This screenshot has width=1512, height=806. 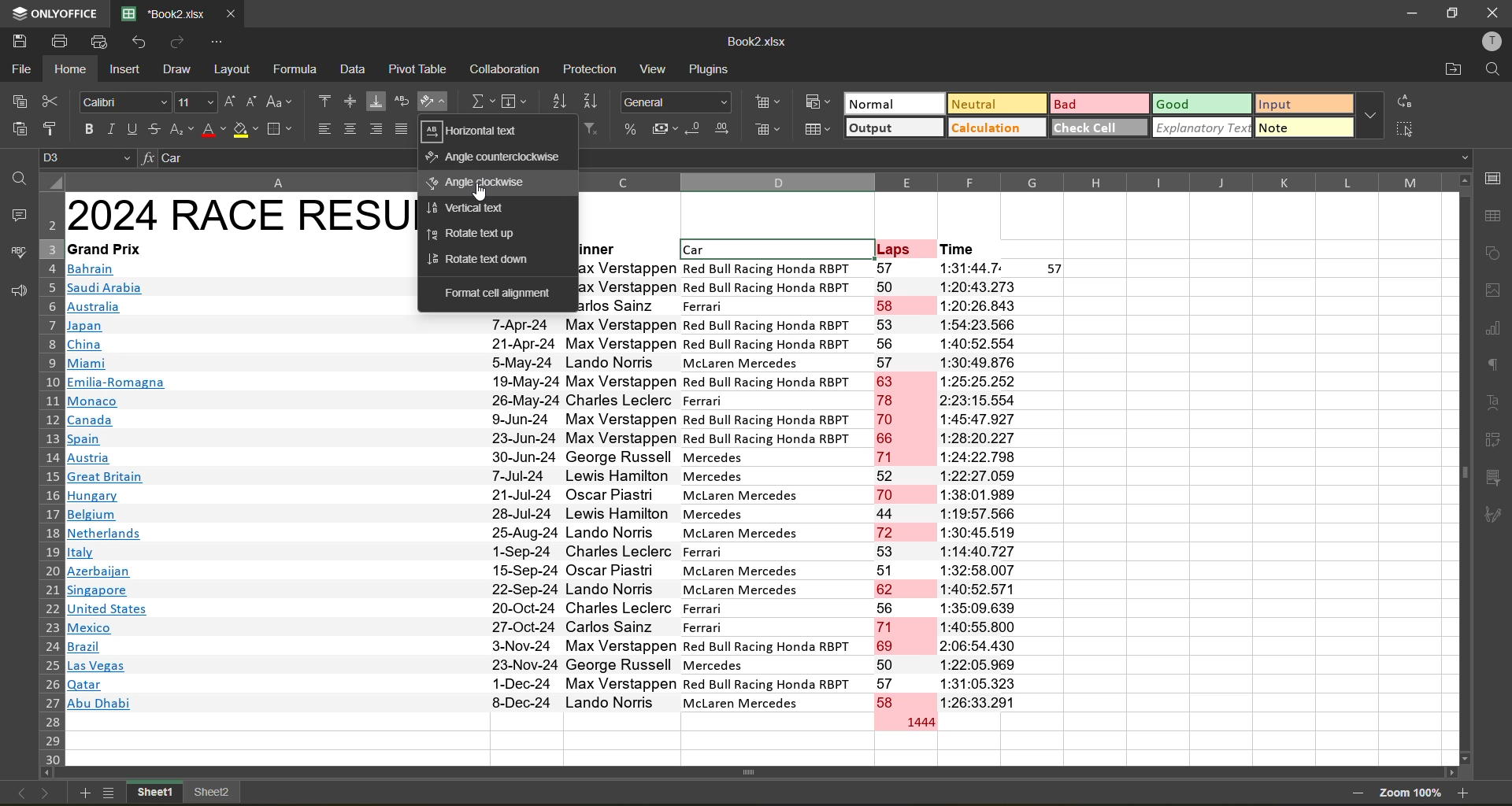 What do you see at coordinates (1492, 439) in the screenshot?
I see `pivot table` at bounding box center [1492, 439].